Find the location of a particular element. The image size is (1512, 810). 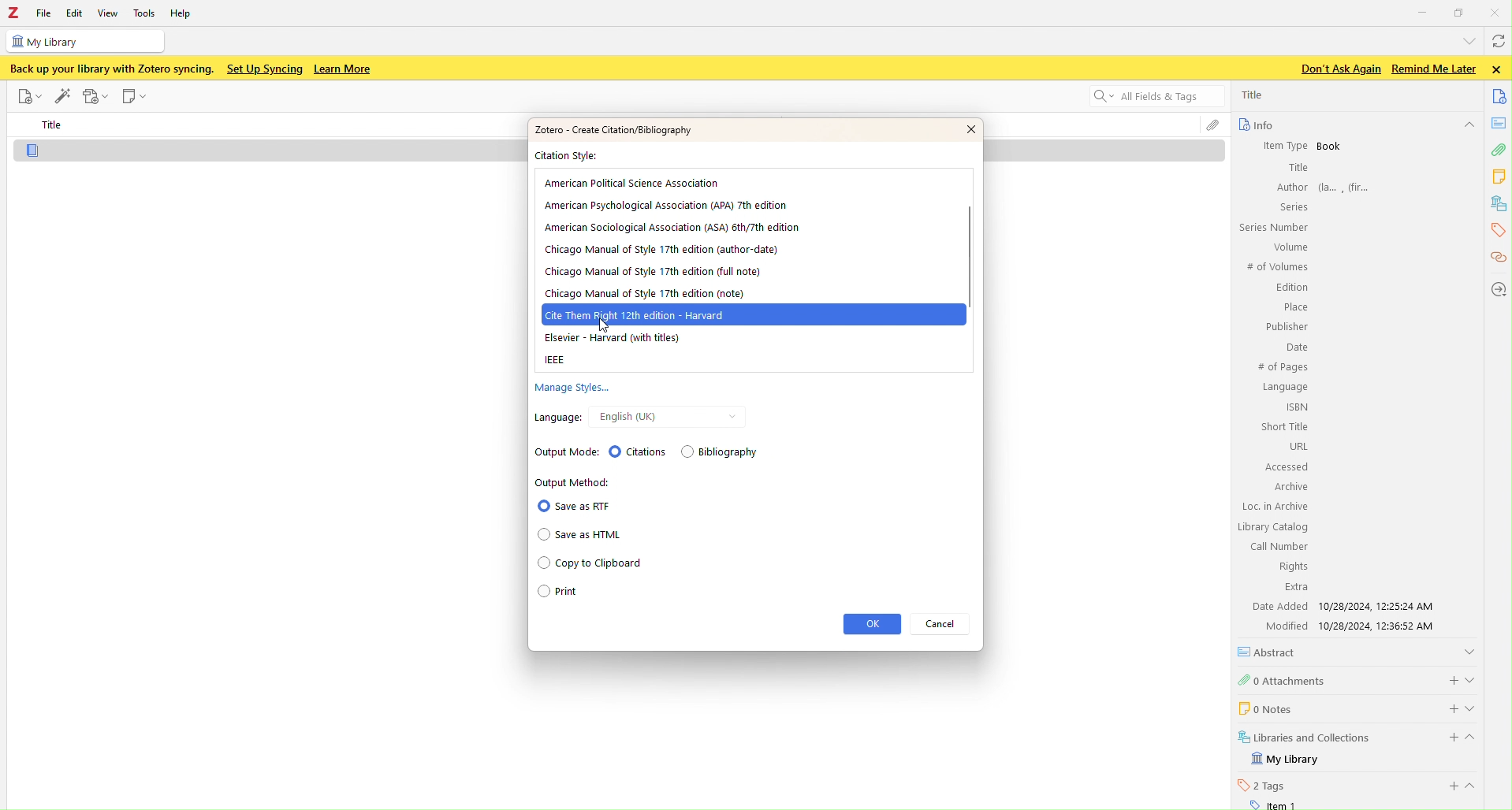

hide is located at coordinates (1477, 740).